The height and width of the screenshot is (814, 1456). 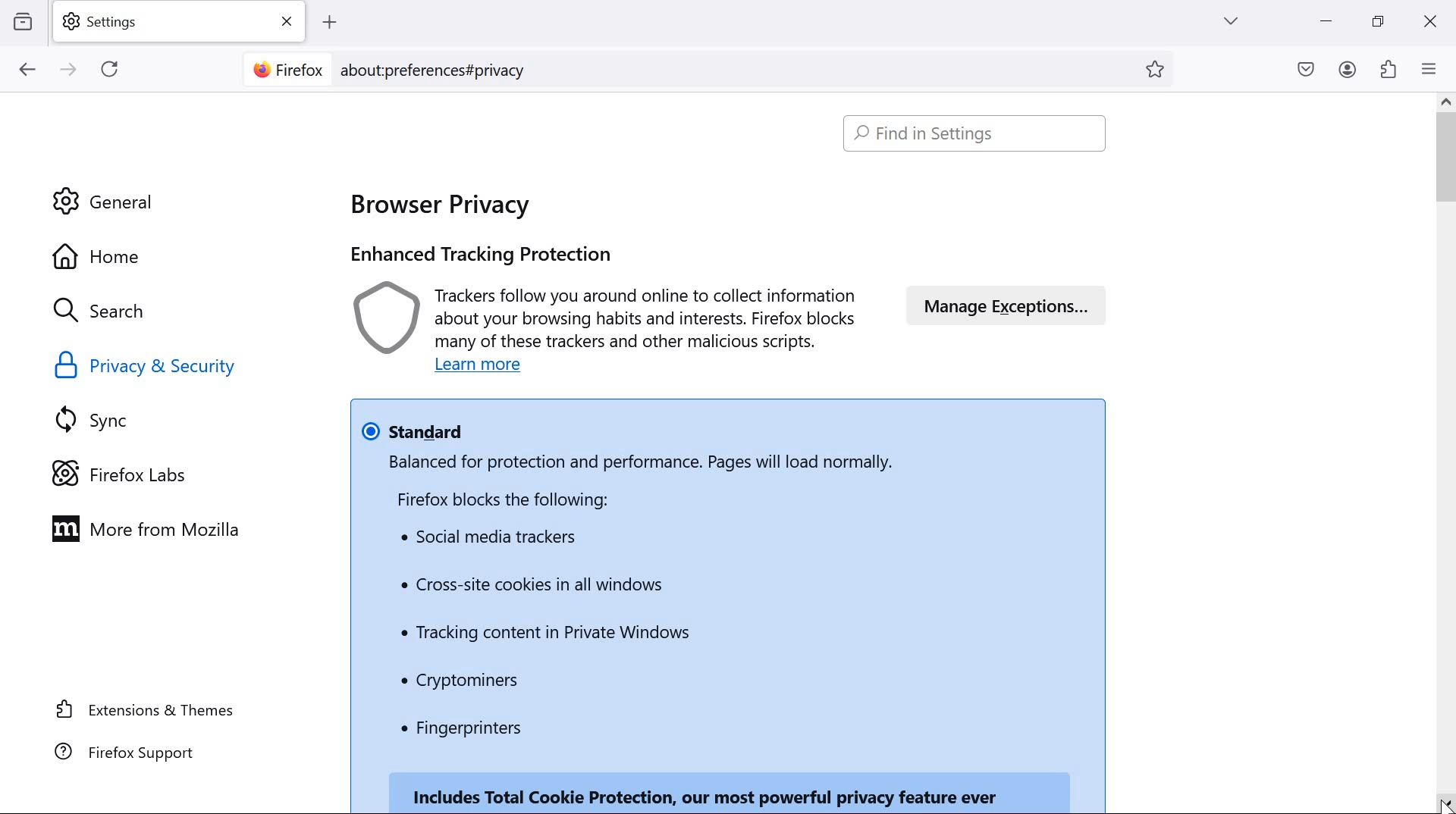 I want to click on list all tabs, so click(x=1231, y=20).